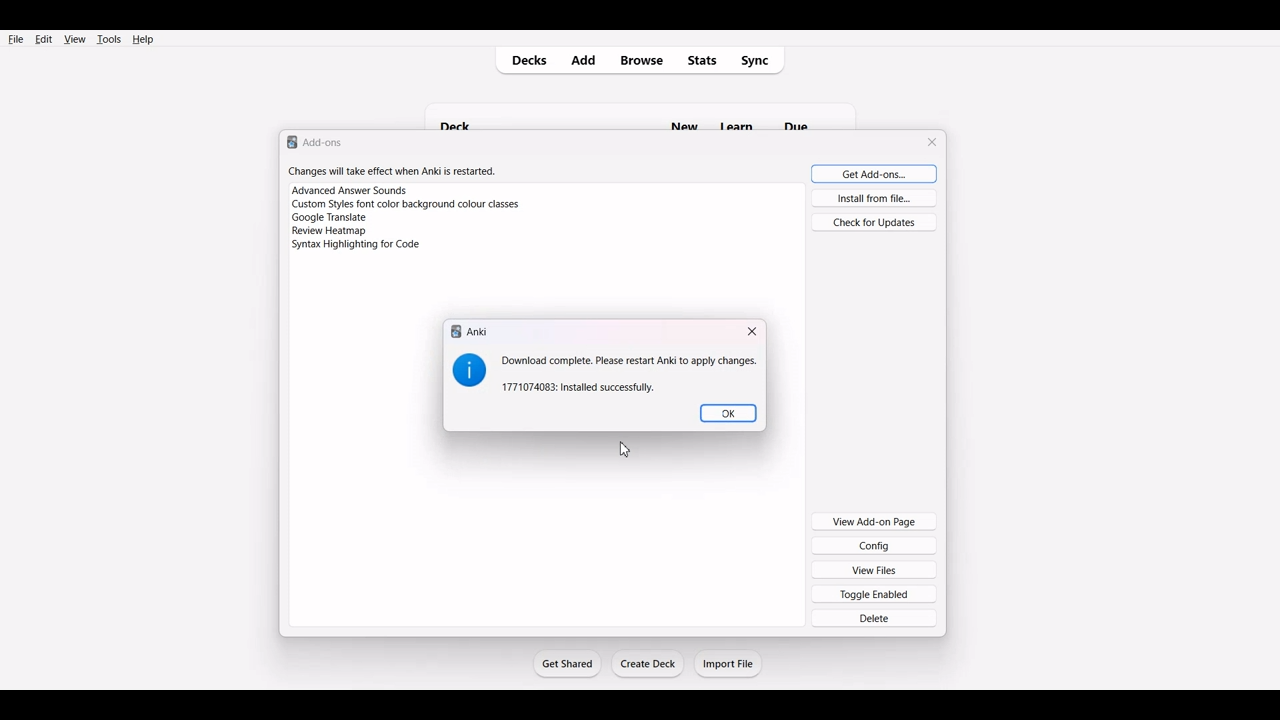 This screenshot has width=1280, height=720. What do you see at coordinates (875, 618) in the screenshot?
I see `Delete` at bounding box center [875, 618].